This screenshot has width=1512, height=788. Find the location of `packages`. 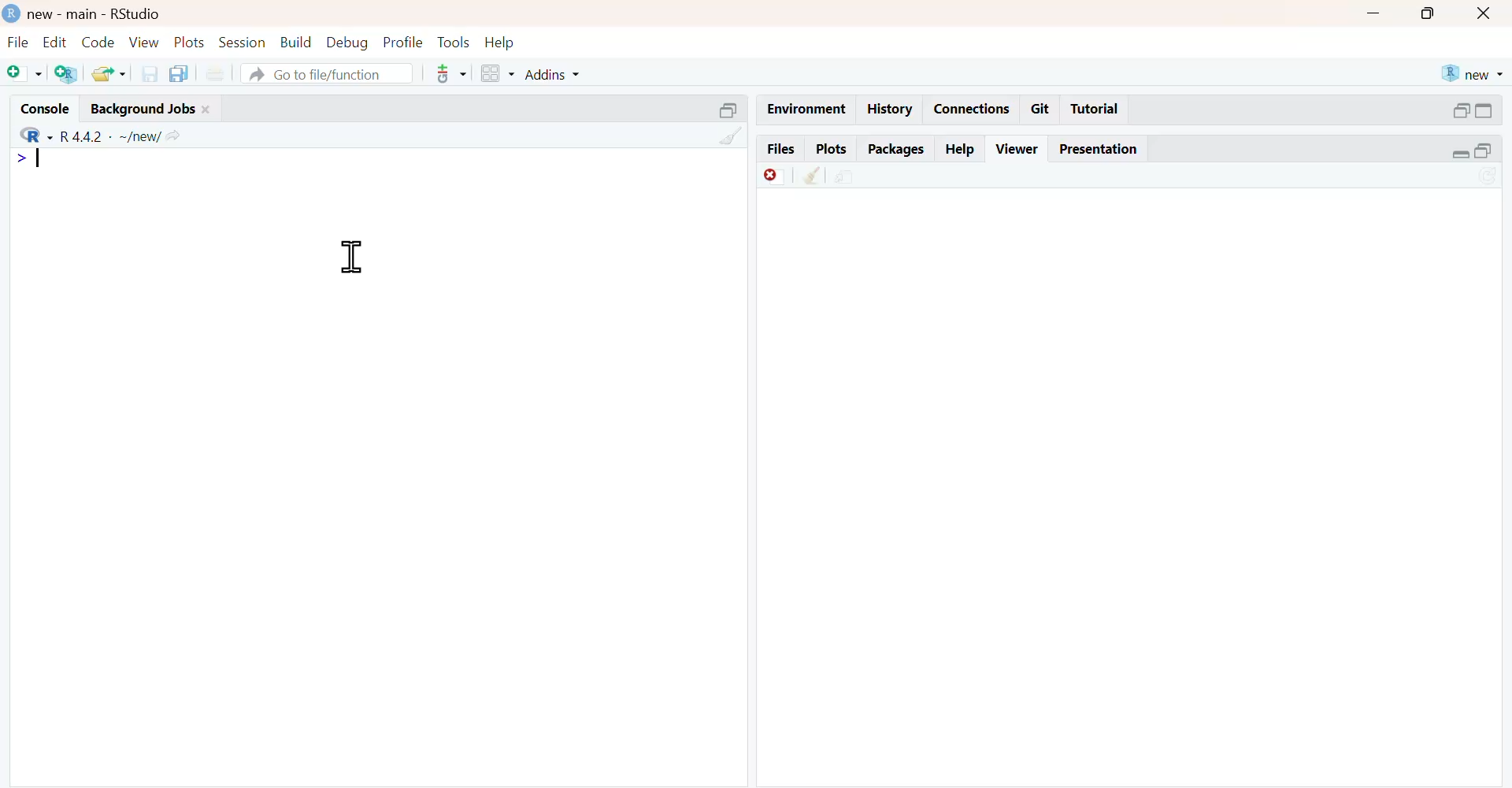

packages is located at coordinates (898, 150).